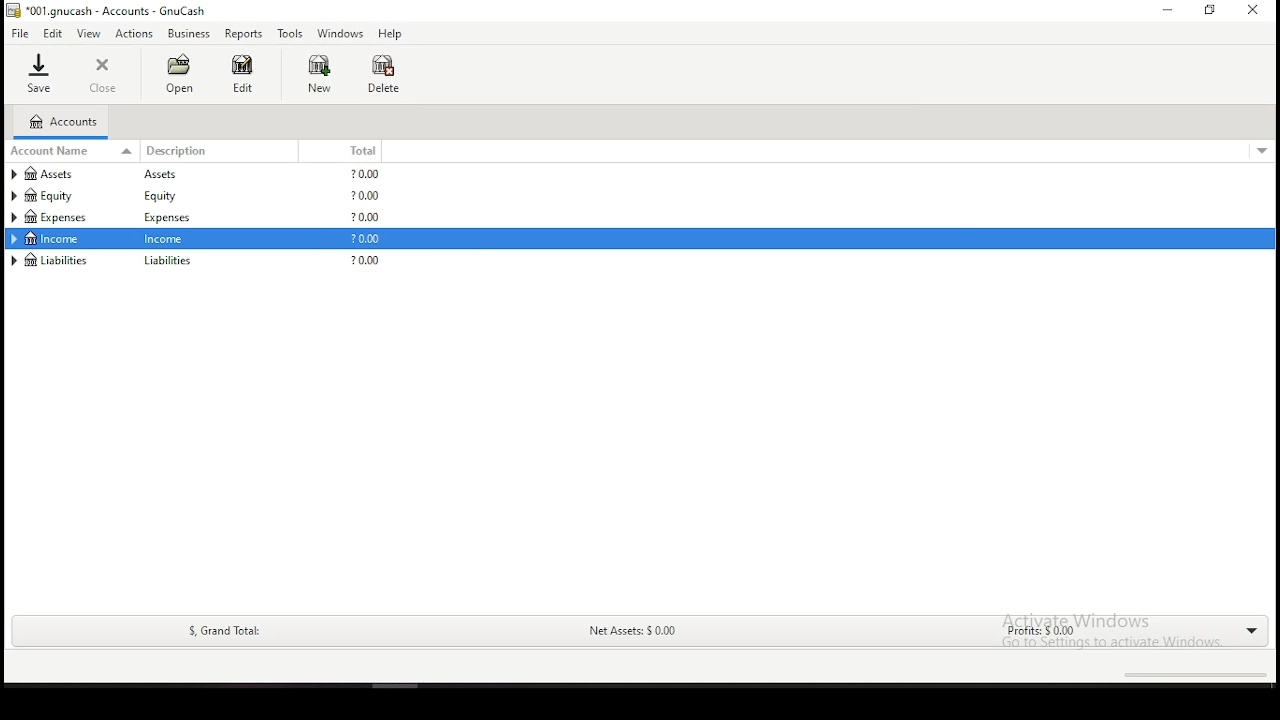  Describe the element at coordinates (74, 150) in the screenshot. I see `account name` at that location.